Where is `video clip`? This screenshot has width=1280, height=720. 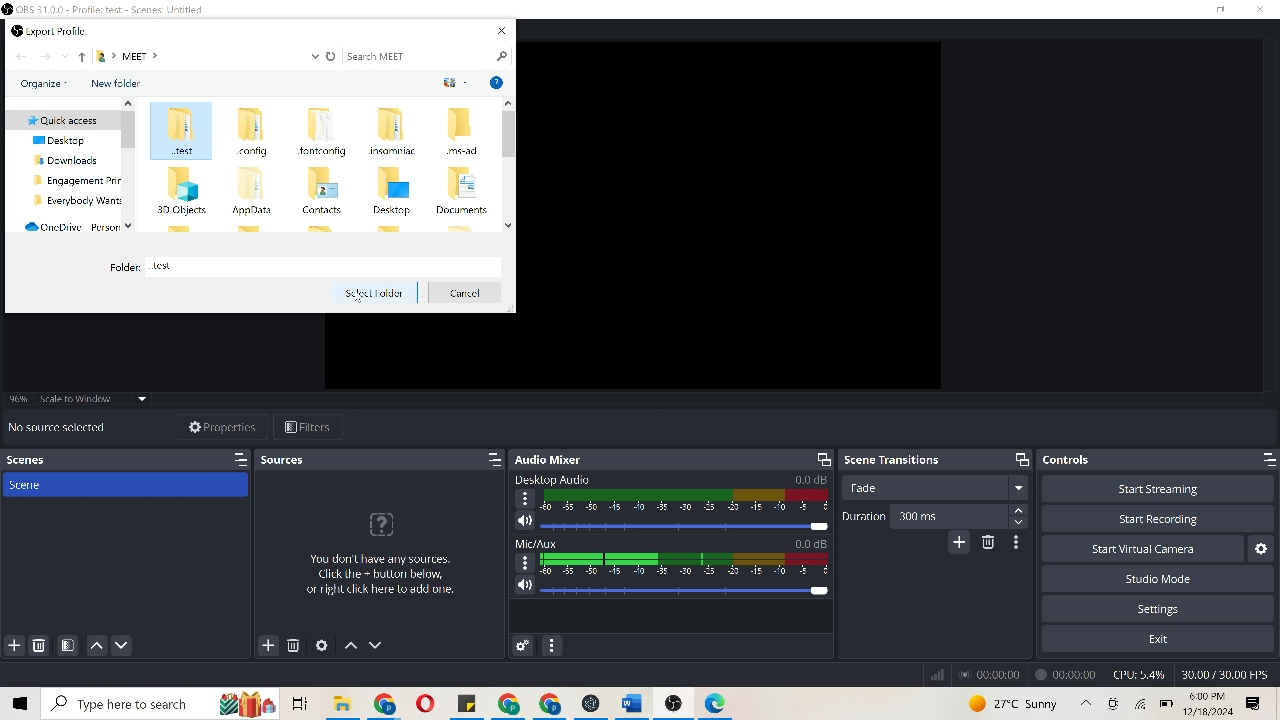
video clip is located at coordinates (731, 215).